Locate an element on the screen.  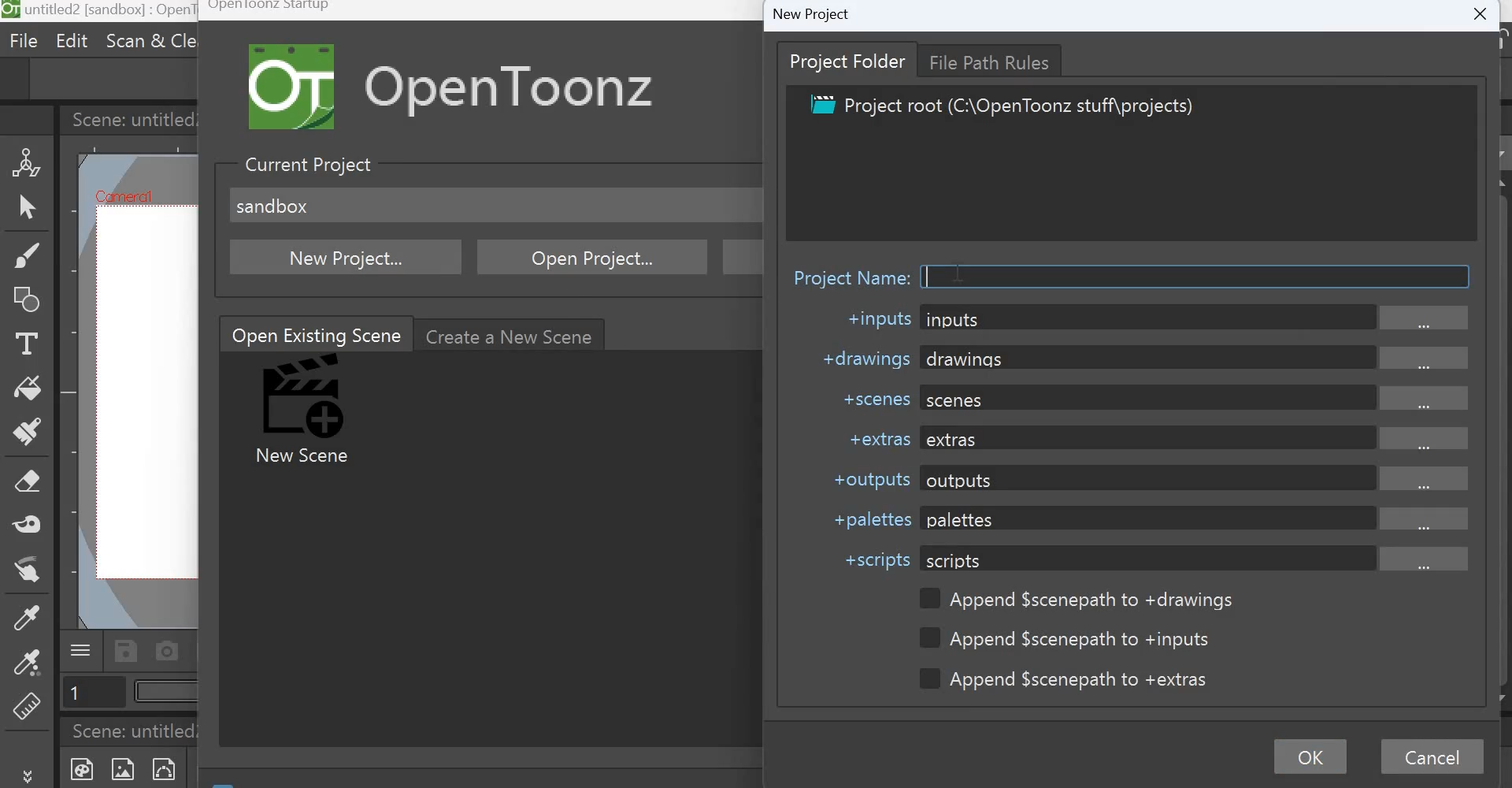
Project root (C:\OpenToonz stuff\projects is located at coordinates (1000, 107).